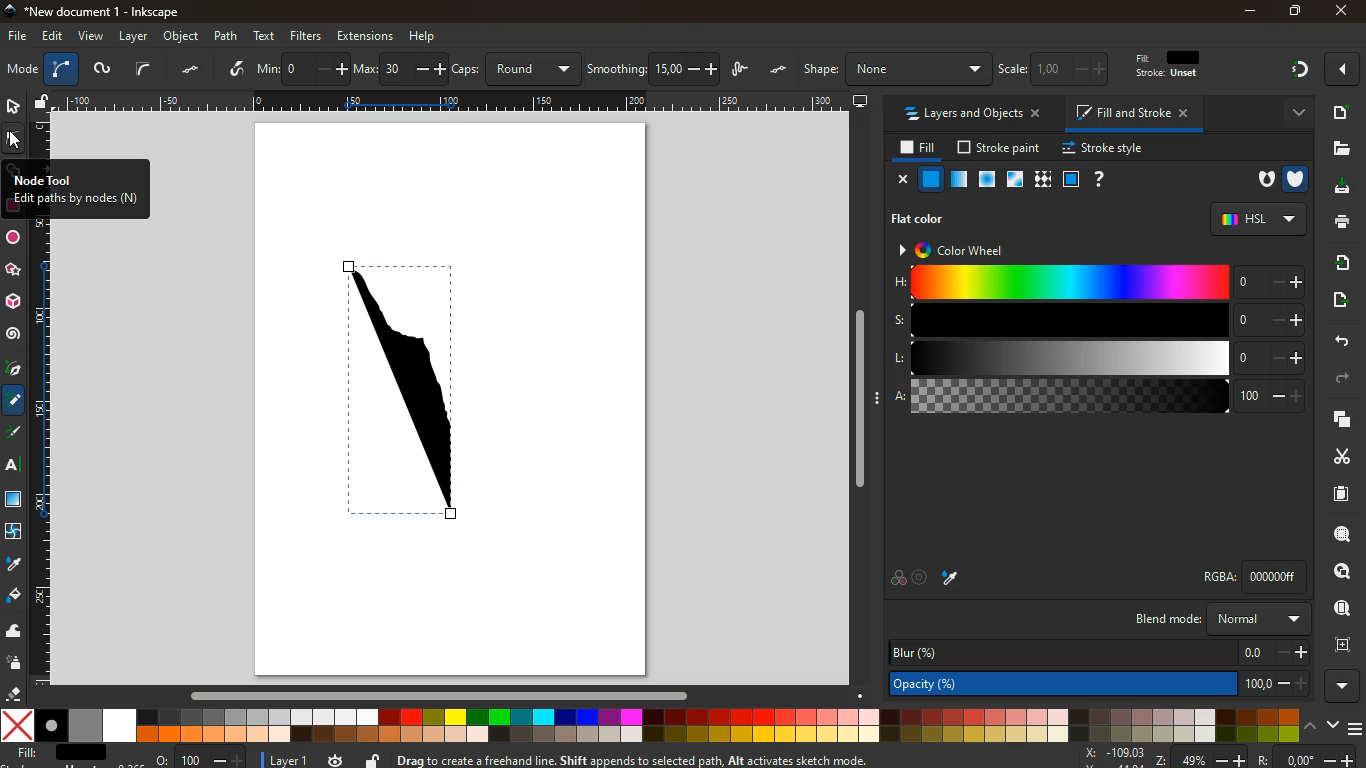  Describe the element at coordinates (1343, 609) in the screenshot. I see `use` at that location.